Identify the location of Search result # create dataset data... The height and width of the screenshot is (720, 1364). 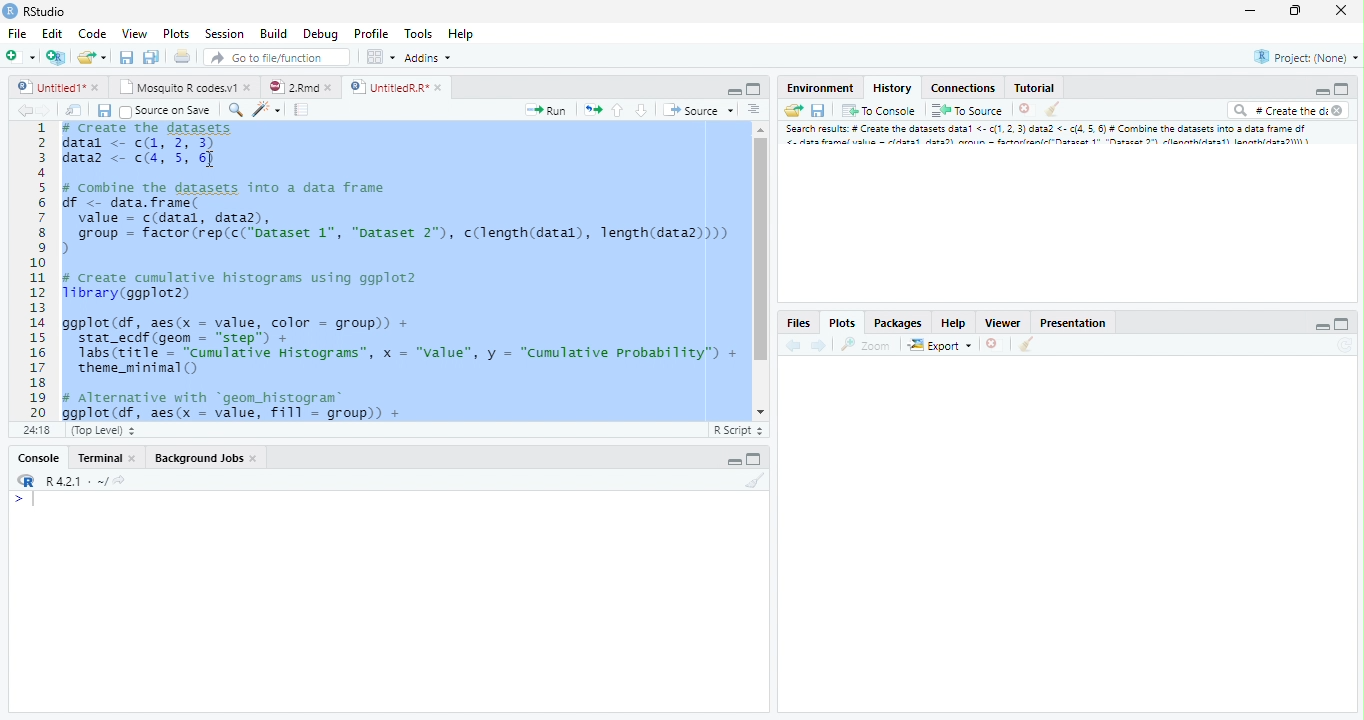
(1052, 137).